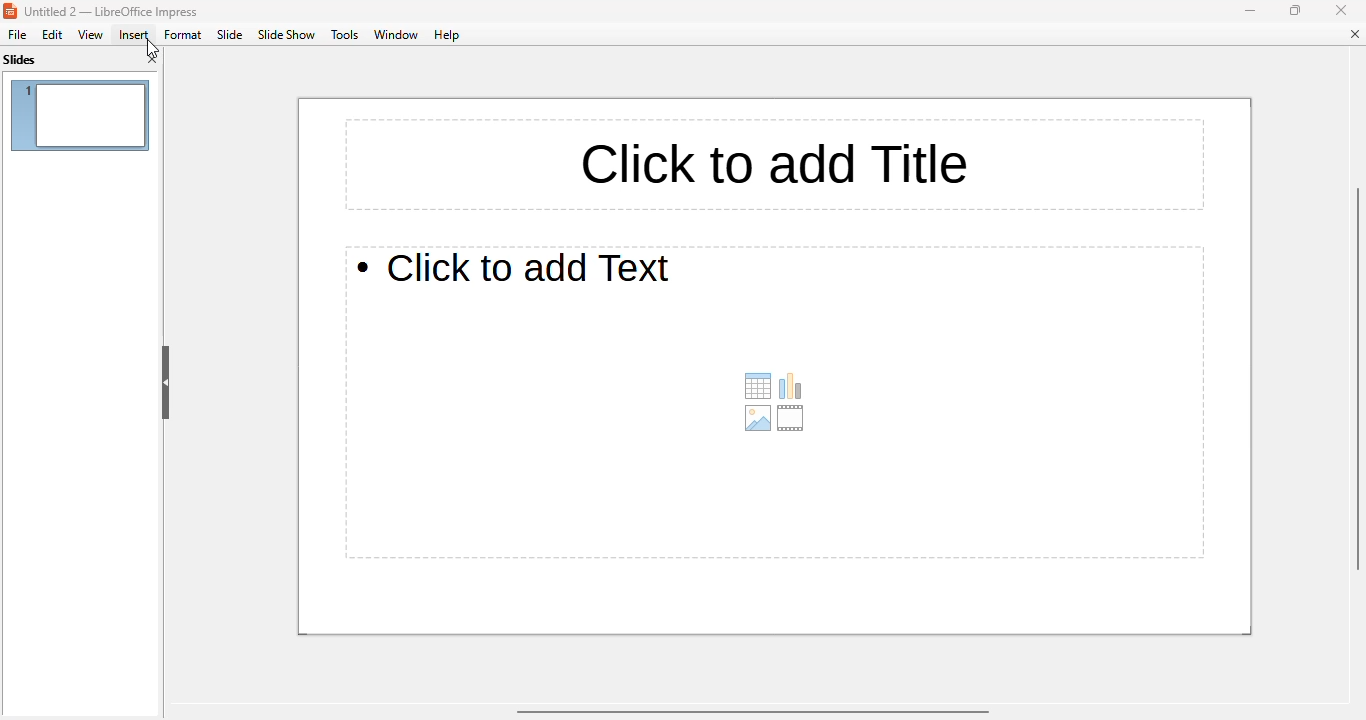 This screenshot has height=720, width=1366. I want to click on text, so click(516, 266).